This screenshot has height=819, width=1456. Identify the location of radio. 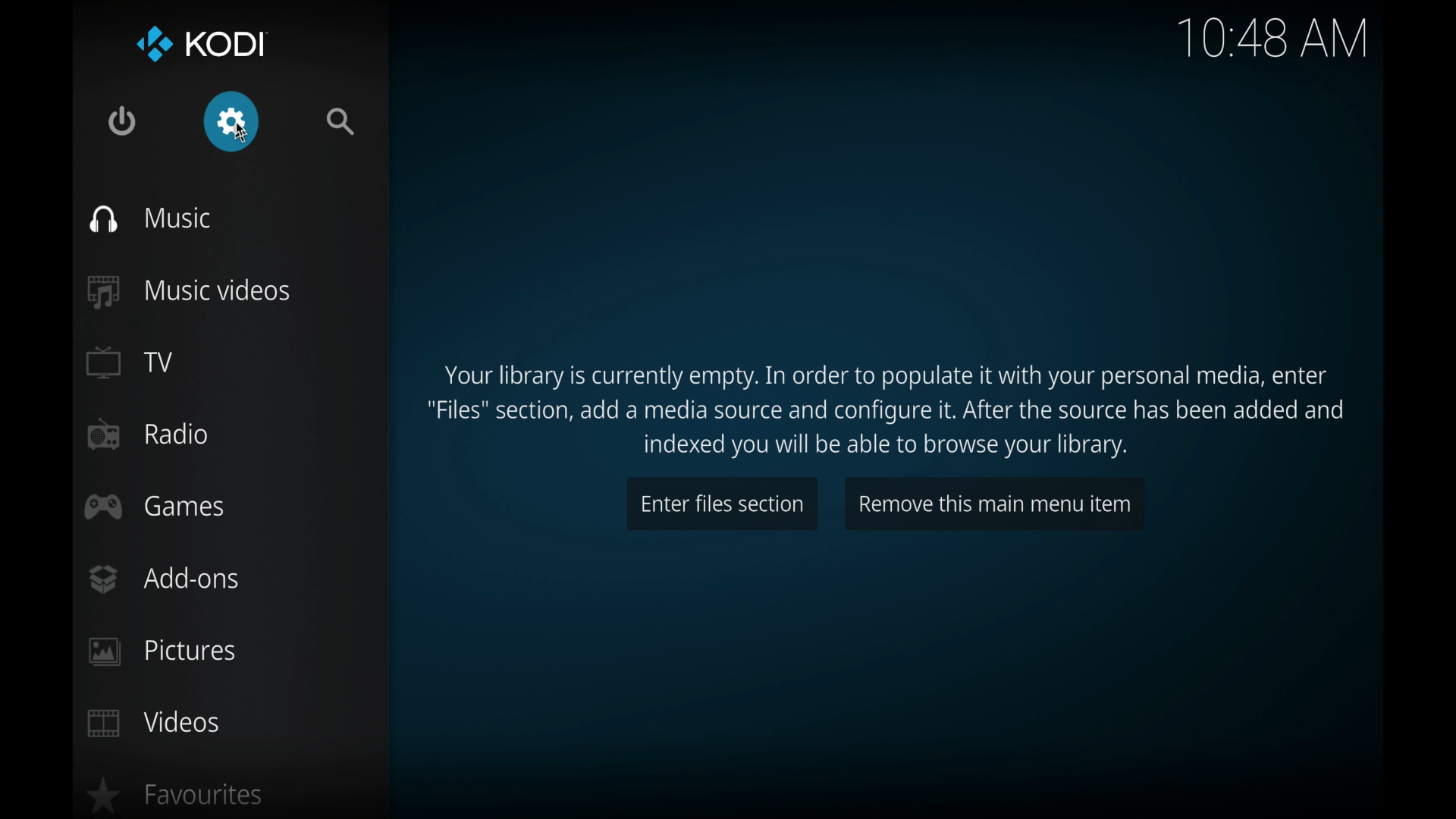
(149, 434).